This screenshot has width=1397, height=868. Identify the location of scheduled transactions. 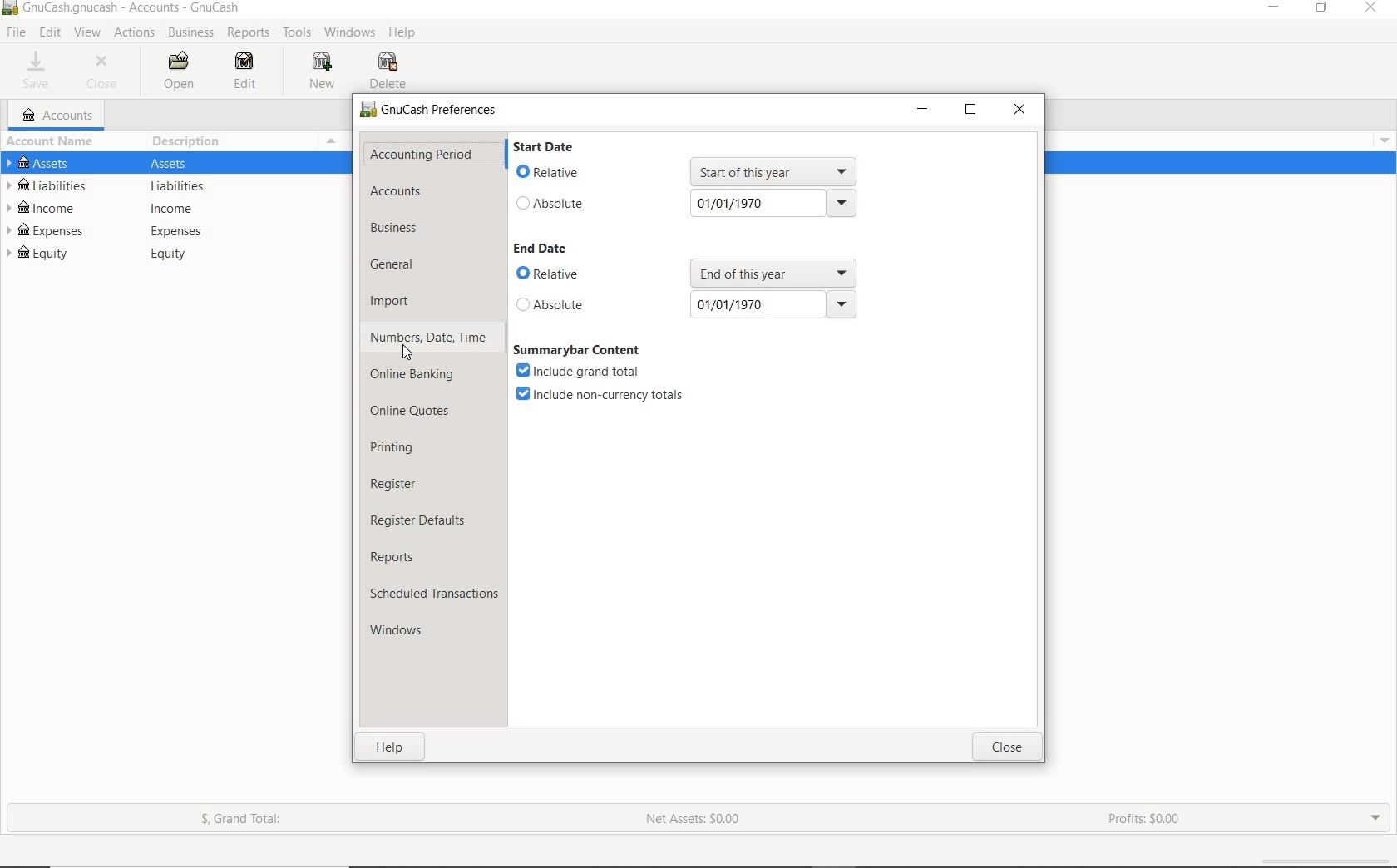
(434, 596).